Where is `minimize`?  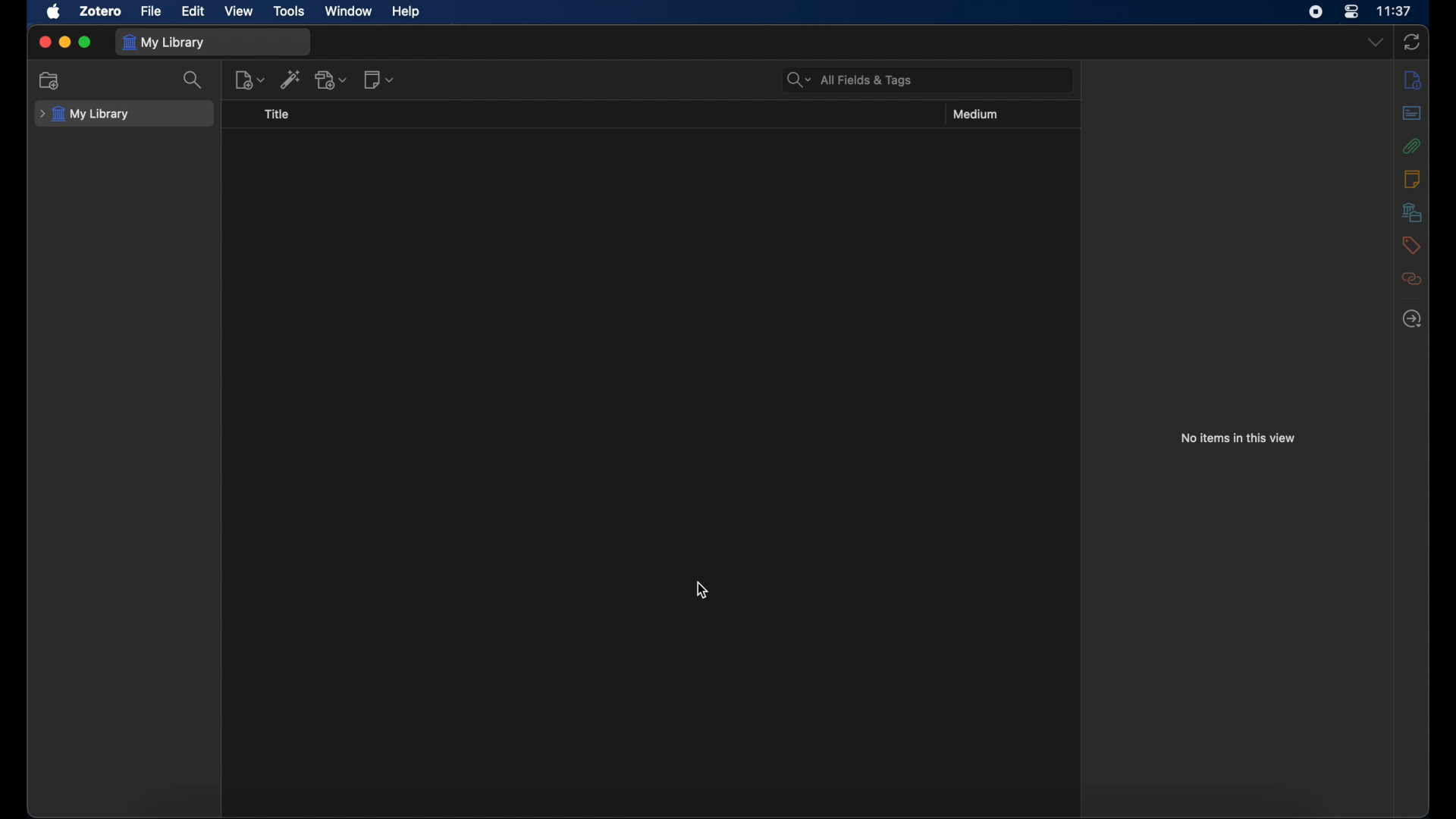 minimize is located at coordinates (65, 42).